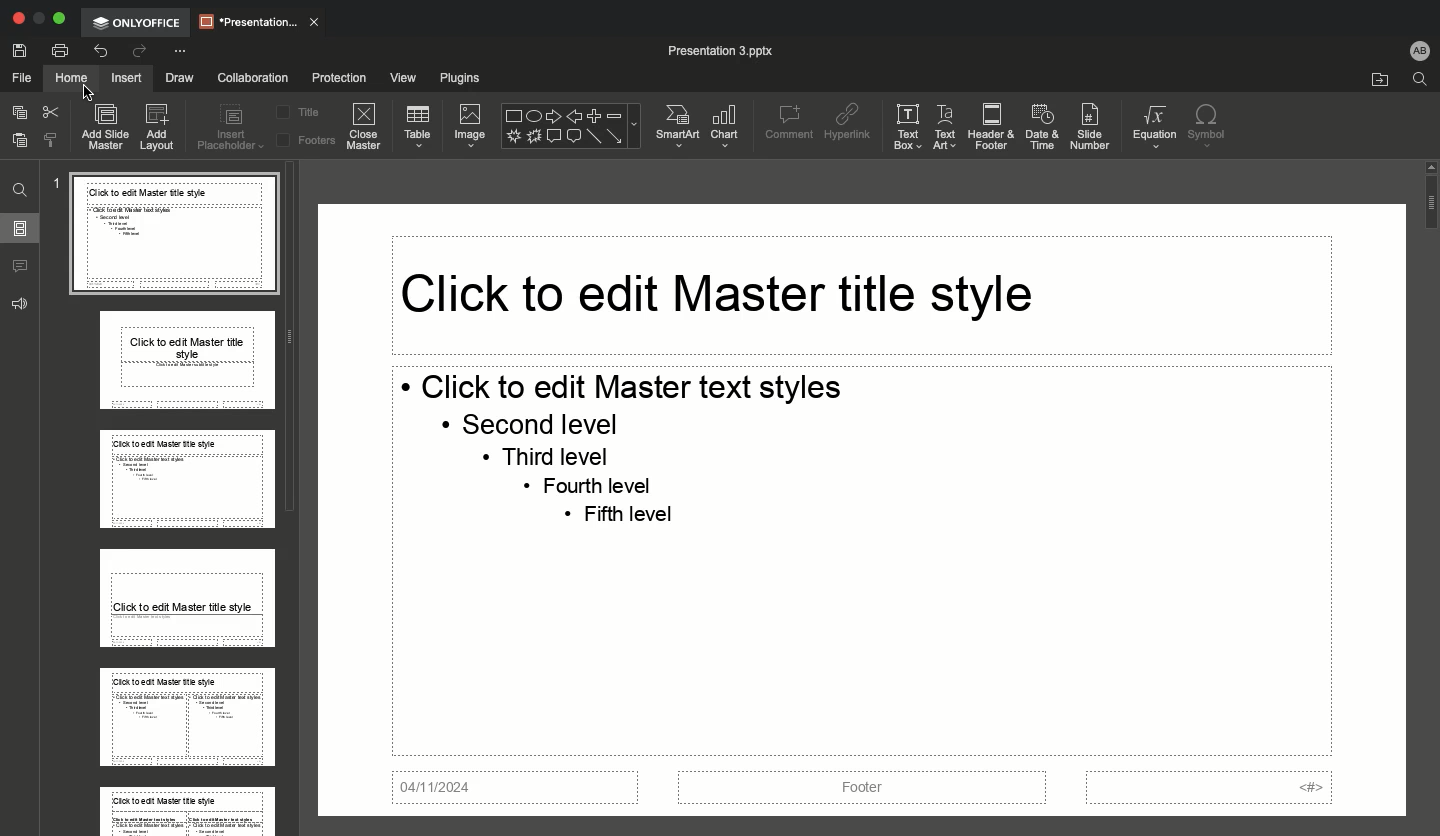  Describe the element at coordinates (1043, 127) in the screenshot. I see `Date & time` at that location.